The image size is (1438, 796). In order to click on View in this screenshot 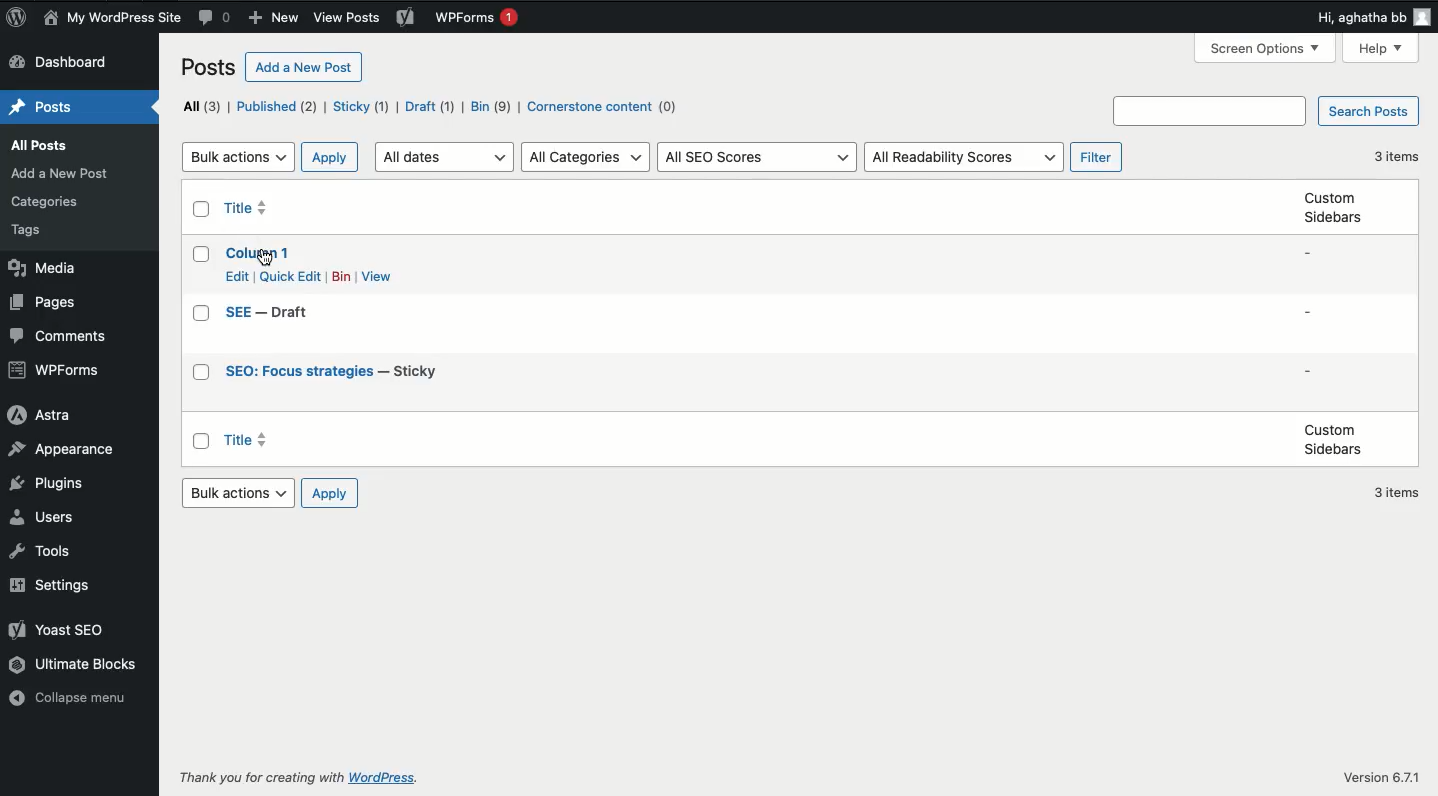, I will do `click(379, 275)`.